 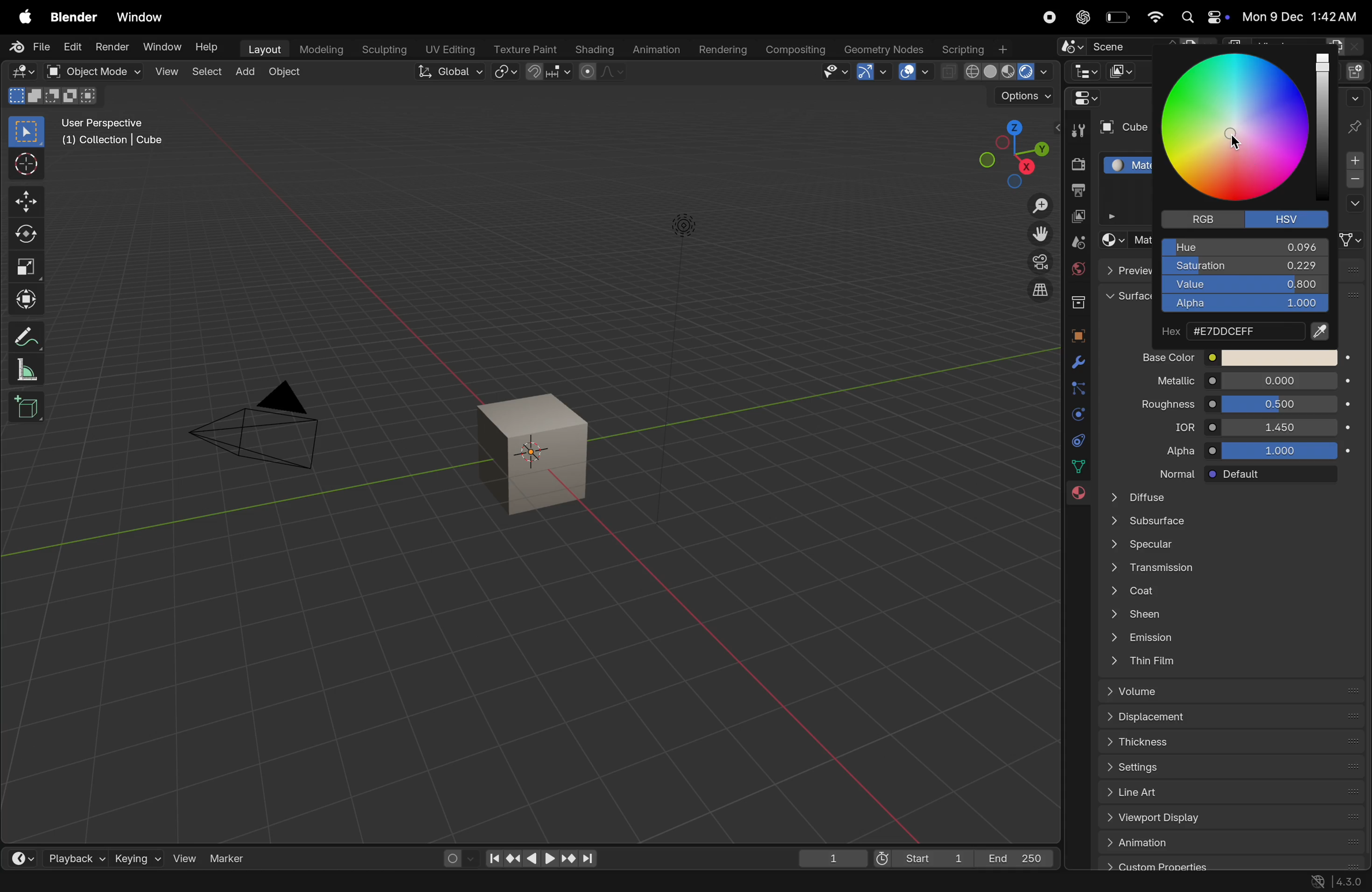 What do you see at coordinates (1355, 161) in the screenshot?
I see `add materail slor` at bounding box center [1355, 161].